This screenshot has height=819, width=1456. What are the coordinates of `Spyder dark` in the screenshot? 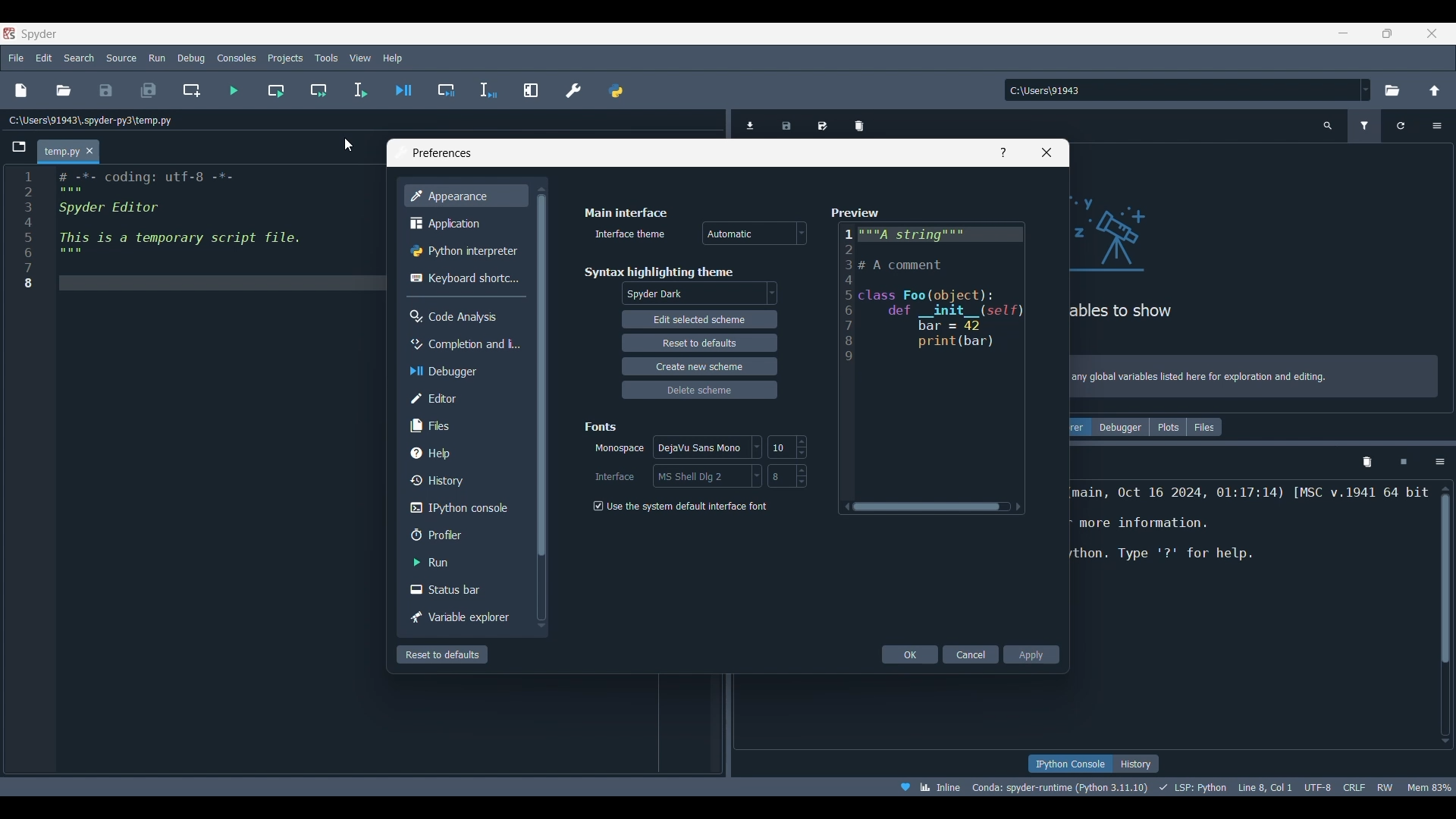 It's located at (699, 294).